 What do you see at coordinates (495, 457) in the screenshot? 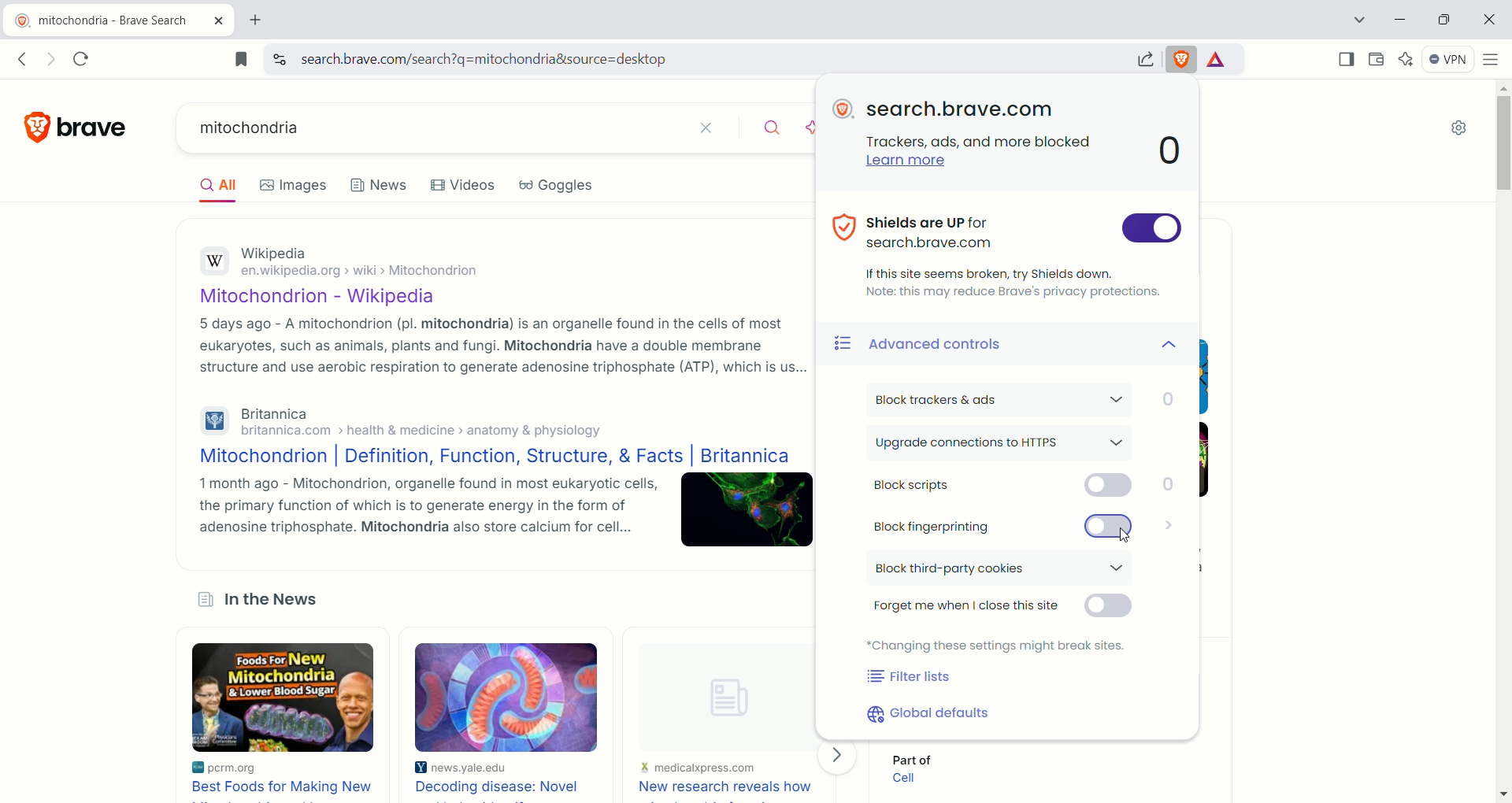
I see `Mitochondrion | Definition, Structure, & Facts | Britannica` at bounding box center [495, 457].